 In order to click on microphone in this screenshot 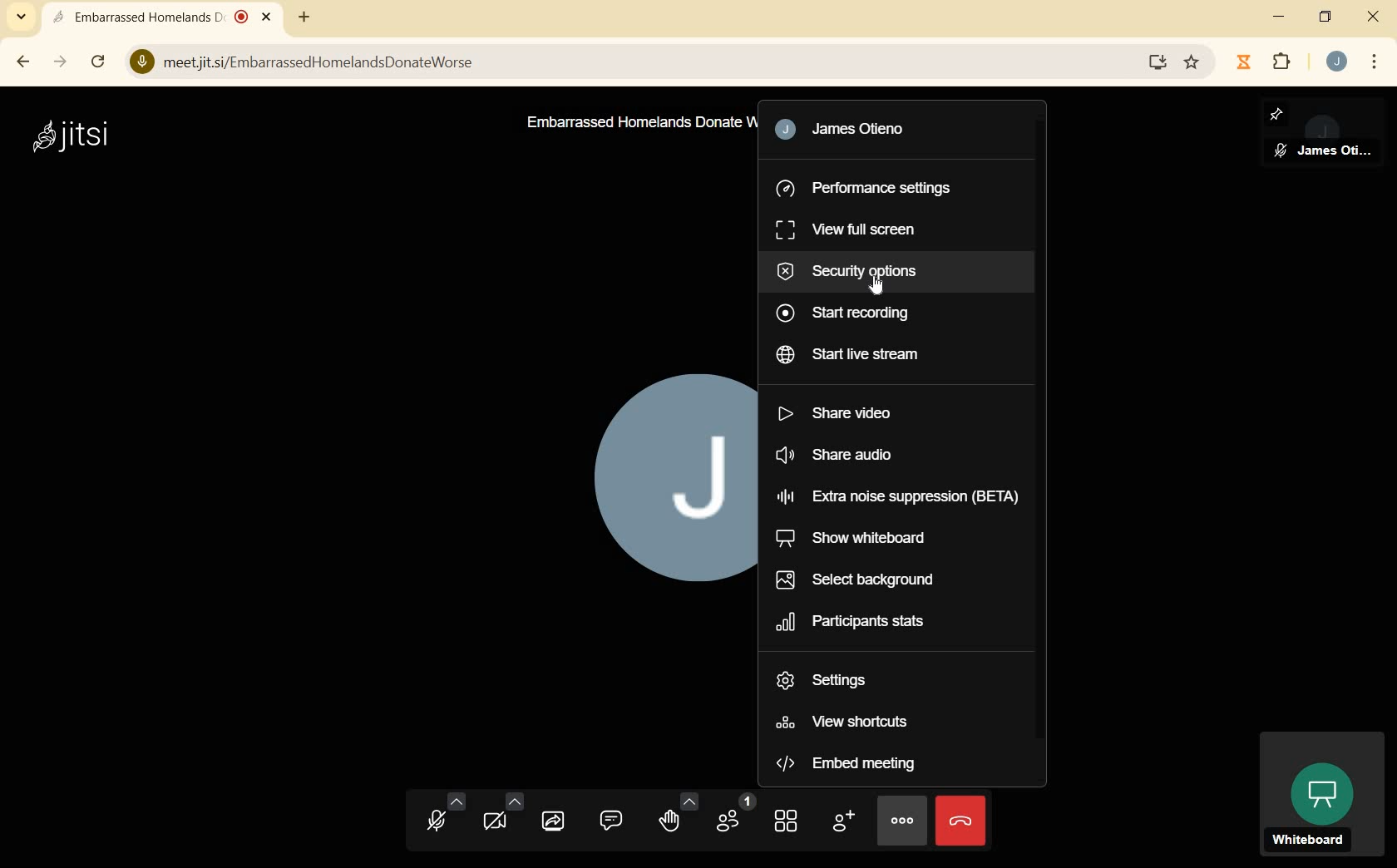, I will do `click(441, 818)`.